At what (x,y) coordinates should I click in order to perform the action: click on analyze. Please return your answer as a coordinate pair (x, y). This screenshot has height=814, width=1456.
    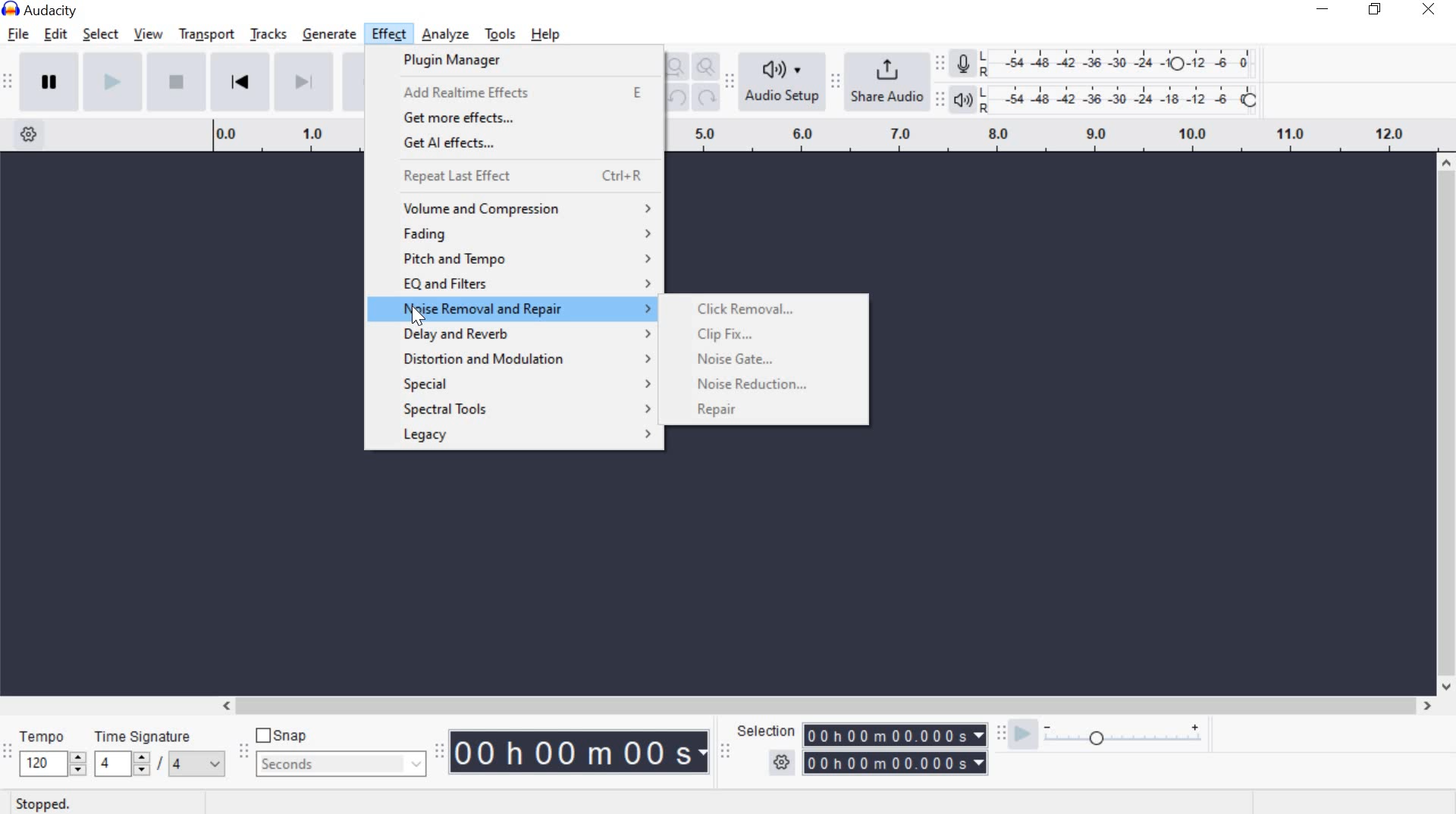
    Looking at the image, I should click on (447, 34).